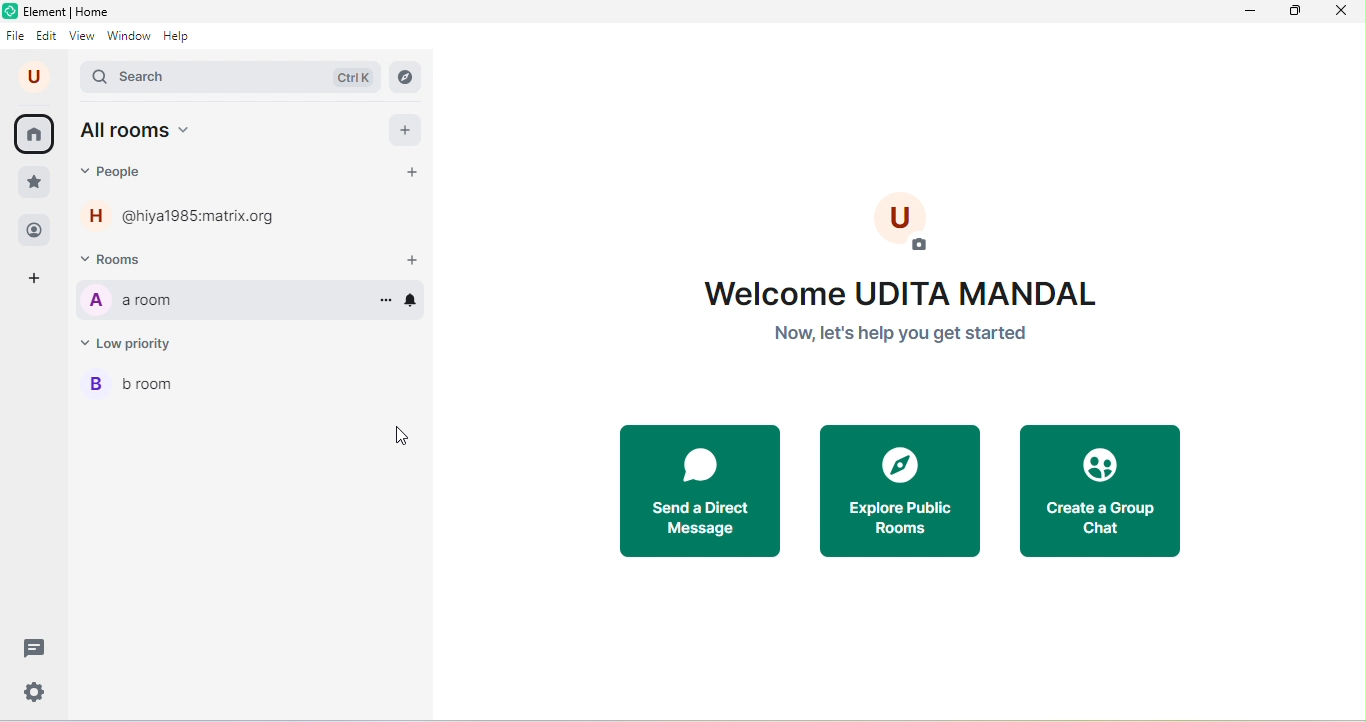  I want to click on @hiya1985.matrix.org, so click(209, 216).